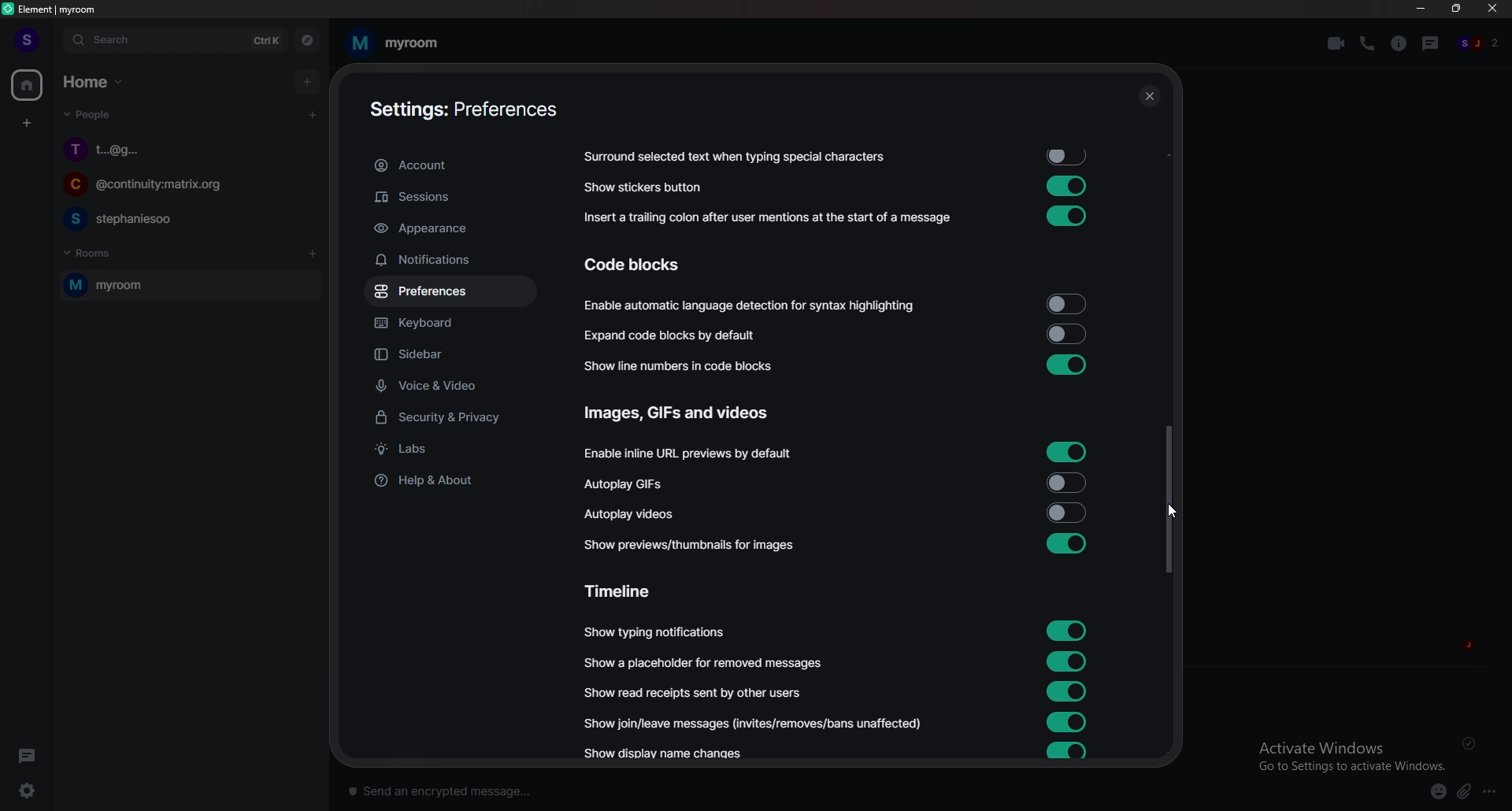 This screenshot has width=1512, height=811. I want to click on timeline, so click(626, 590).